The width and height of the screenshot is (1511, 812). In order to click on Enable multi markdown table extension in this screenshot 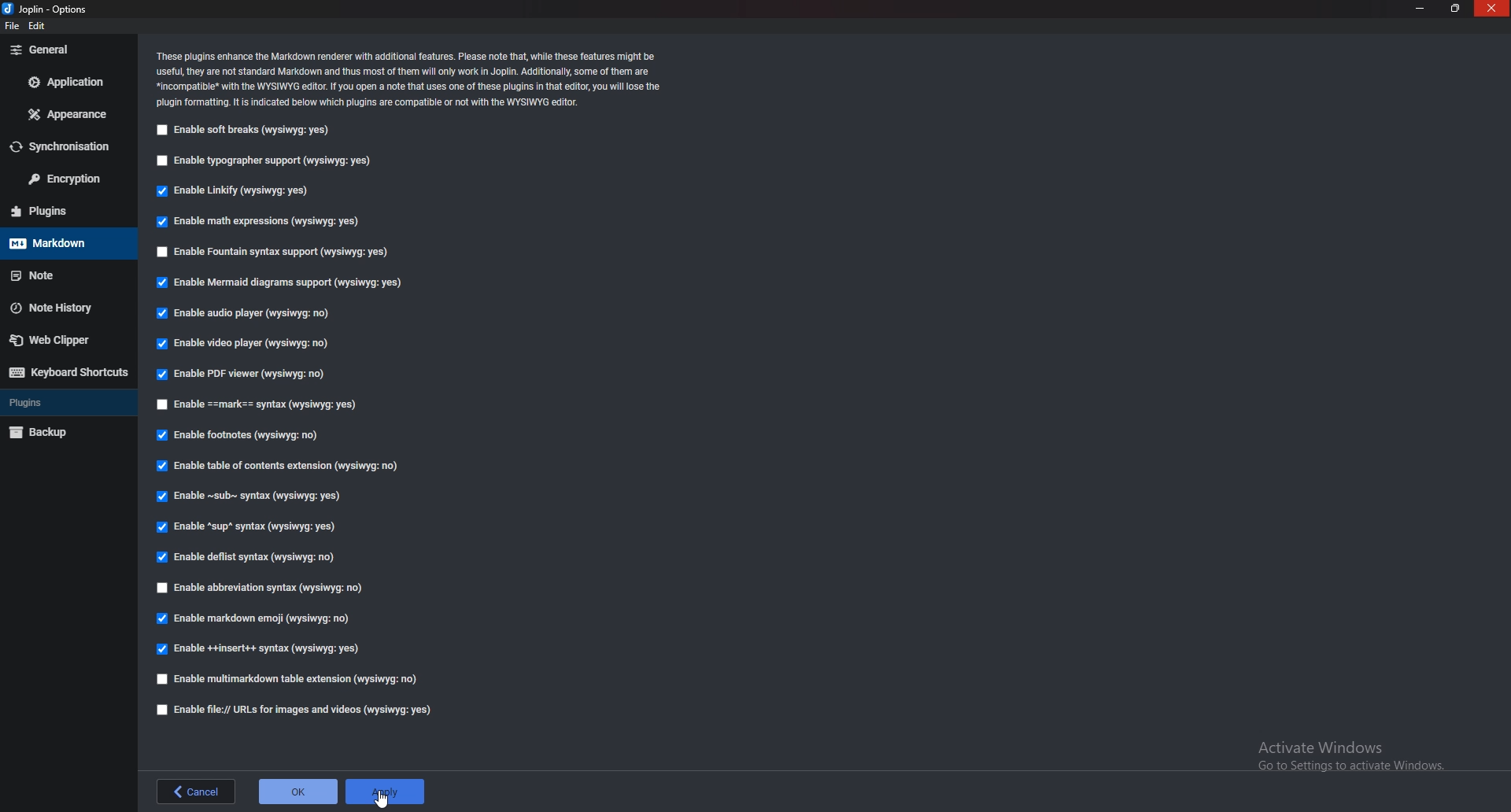, I will do `click(294, 678)`.